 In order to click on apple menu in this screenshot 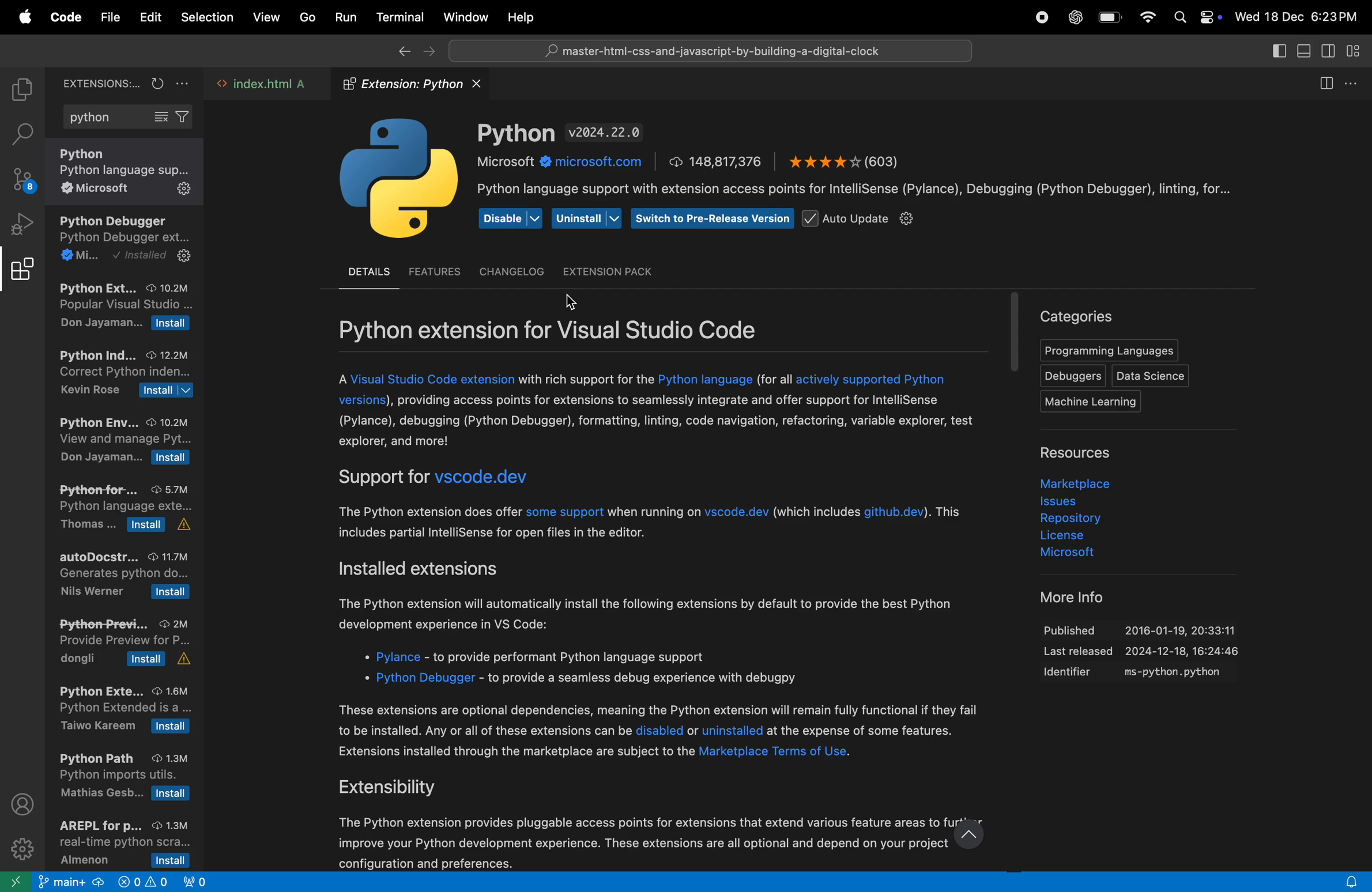, I will do `click(21, 17)`.